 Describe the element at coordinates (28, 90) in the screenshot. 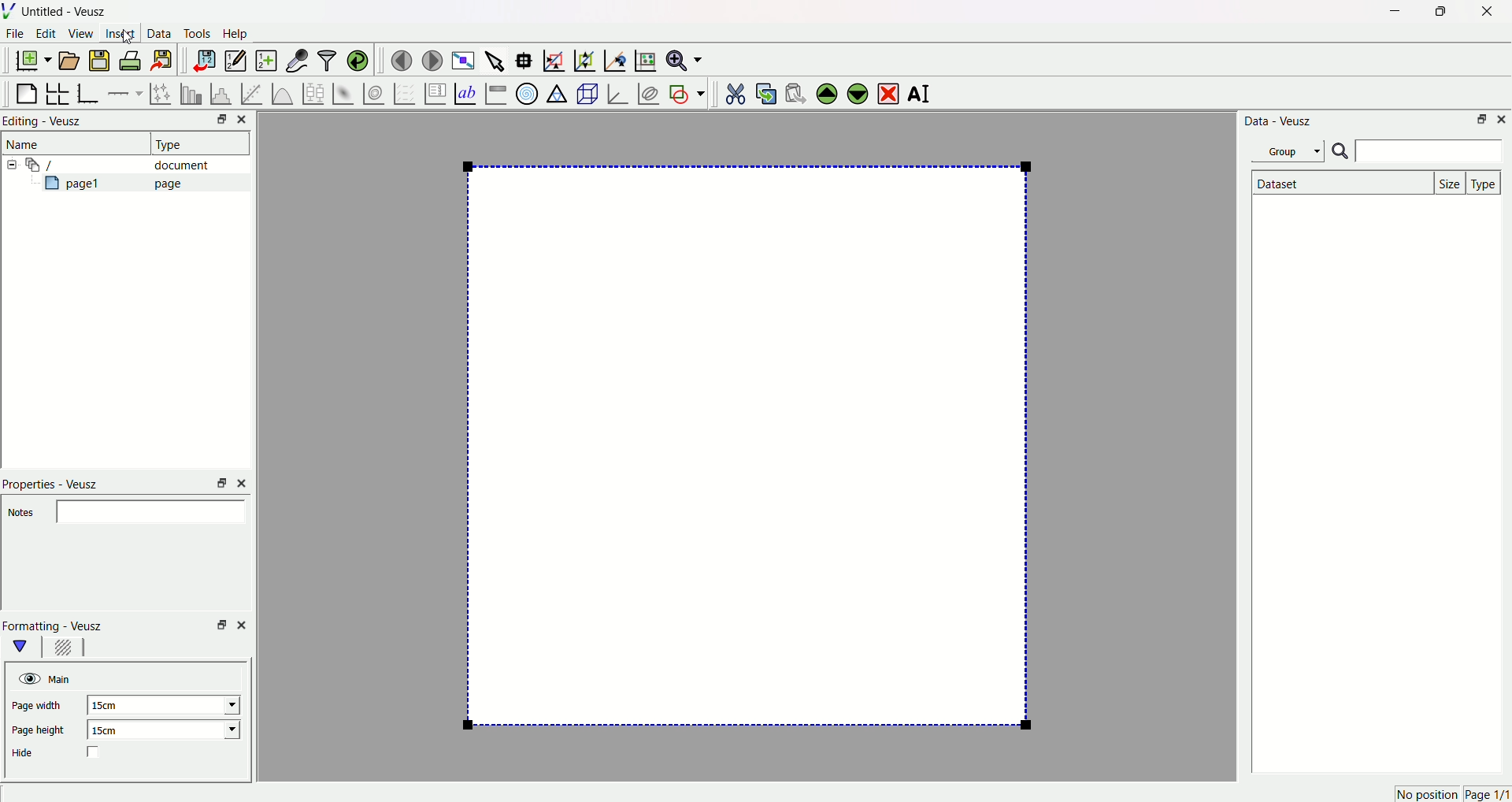

I see `blank page` at that location.